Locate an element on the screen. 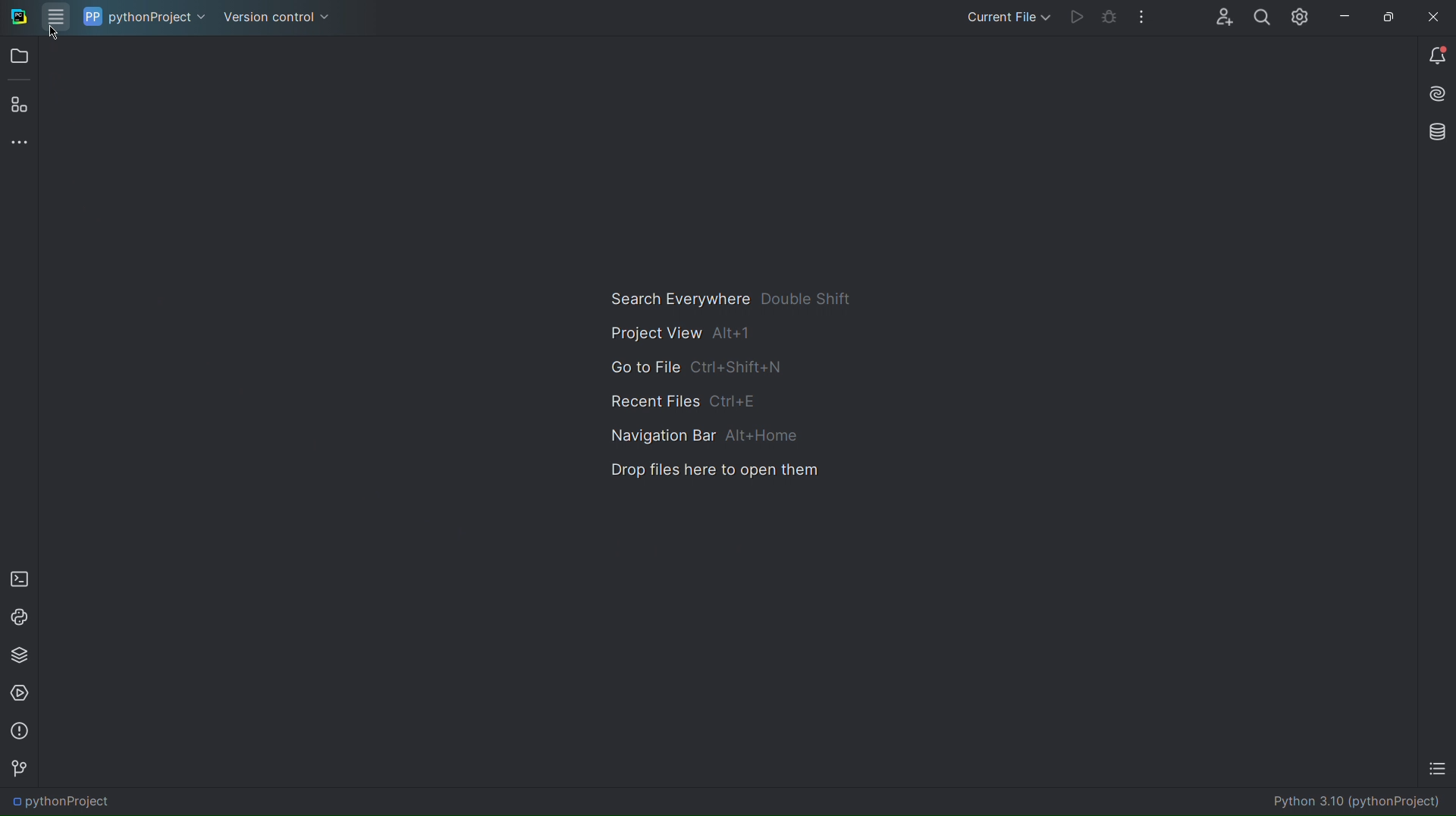 This screenshot has height=816, width=1456. Python 3.19 (pythonProject) is located at coordinates (1357, 803).